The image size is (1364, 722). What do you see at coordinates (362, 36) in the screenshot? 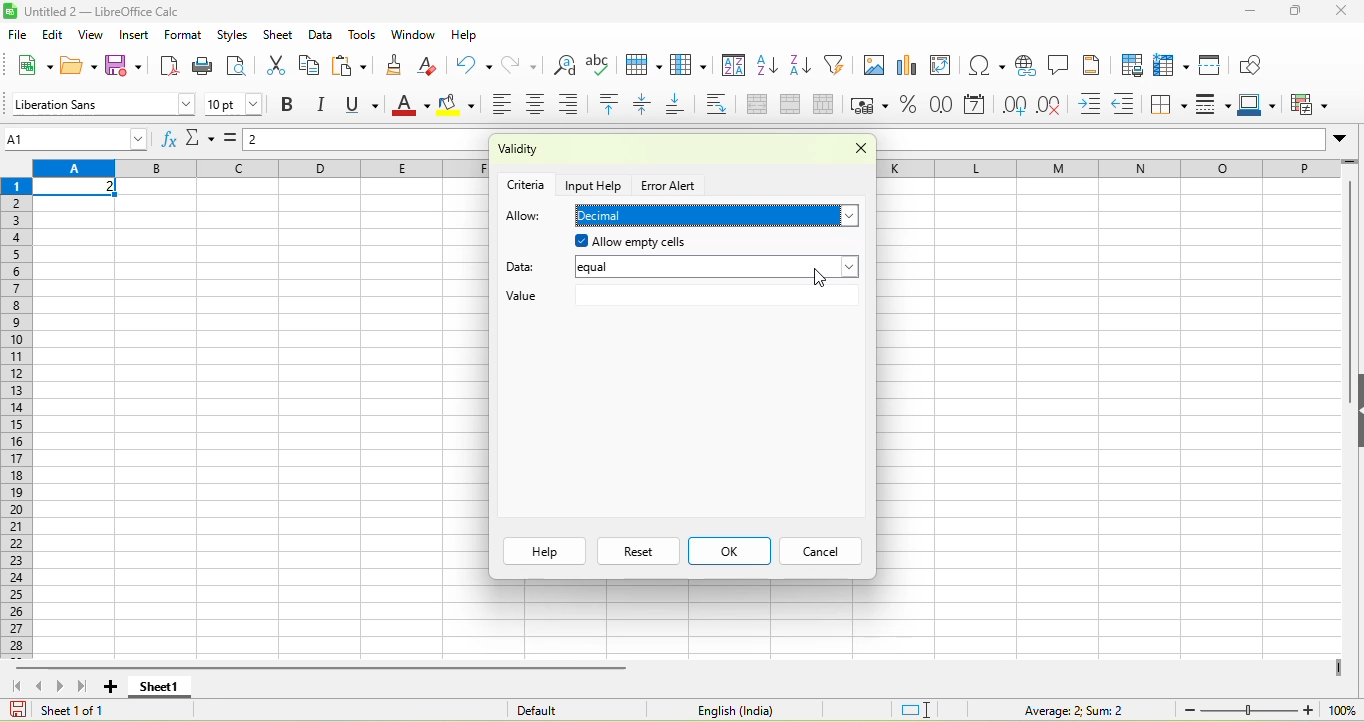
I see `tools` at bounding box center [362, 36].